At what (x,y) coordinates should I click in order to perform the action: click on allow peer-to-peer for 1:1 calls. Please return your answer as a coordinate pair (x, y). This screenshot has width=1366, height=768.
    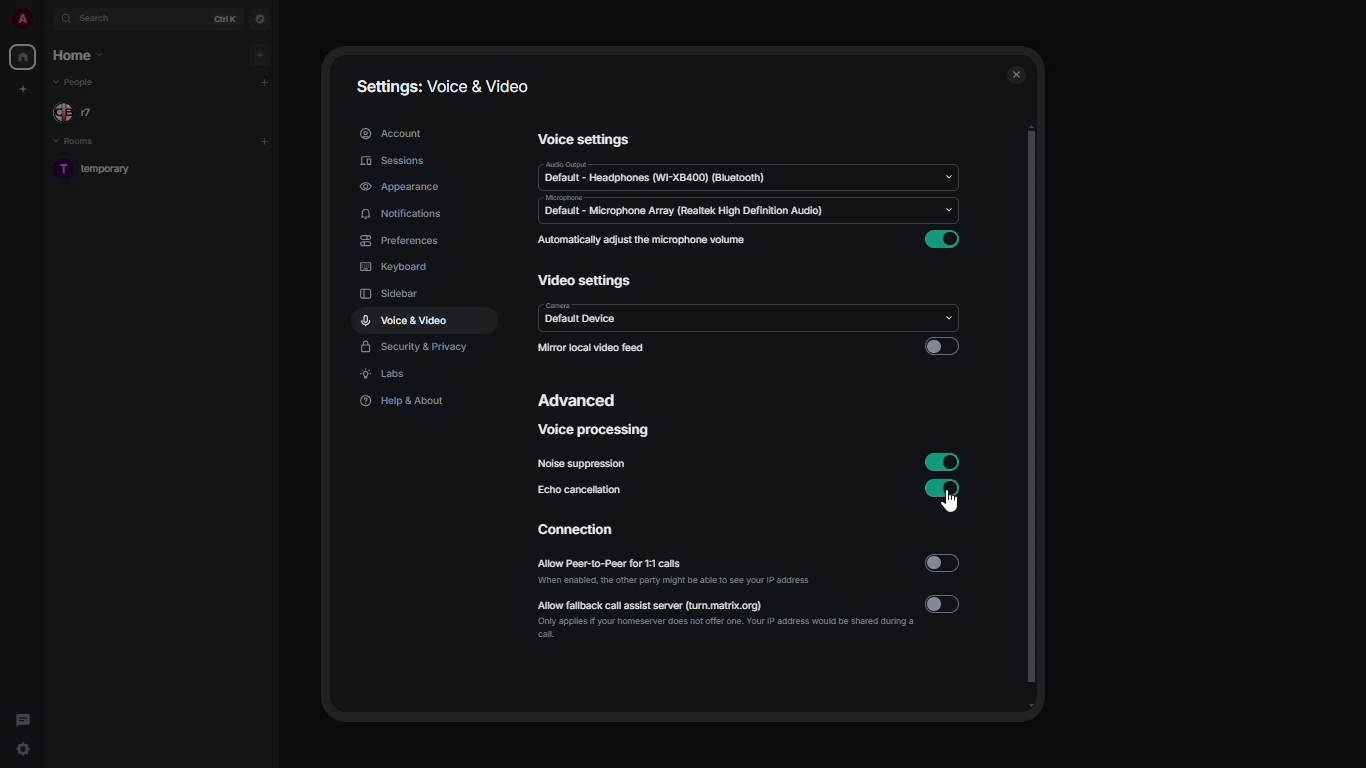
    Looking at the image, I should click on (672, 572).